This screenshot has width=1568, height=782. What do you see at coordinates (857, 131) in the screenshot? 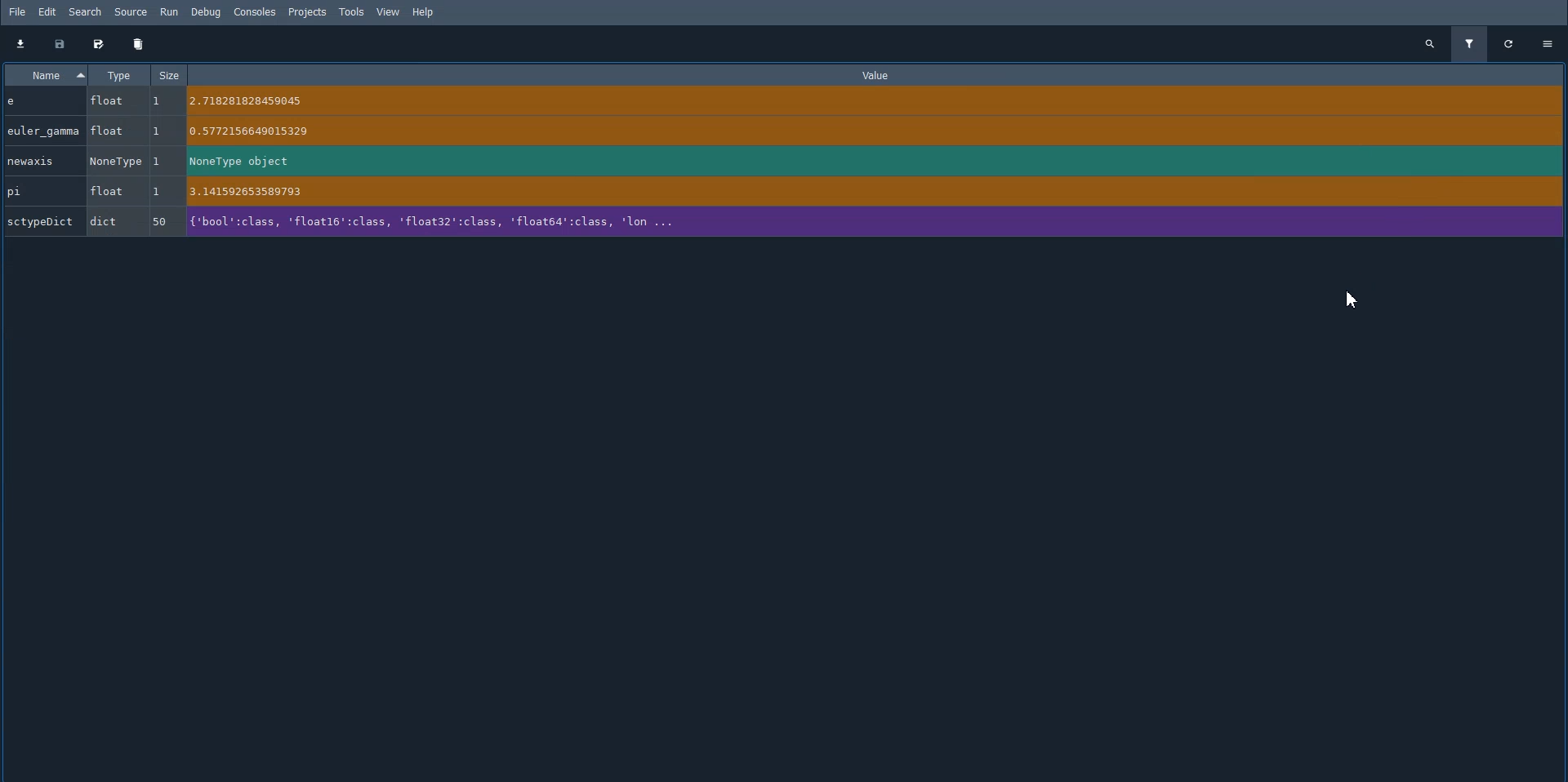
I see `0.5772156649015329` at bounding box center [857, 131].